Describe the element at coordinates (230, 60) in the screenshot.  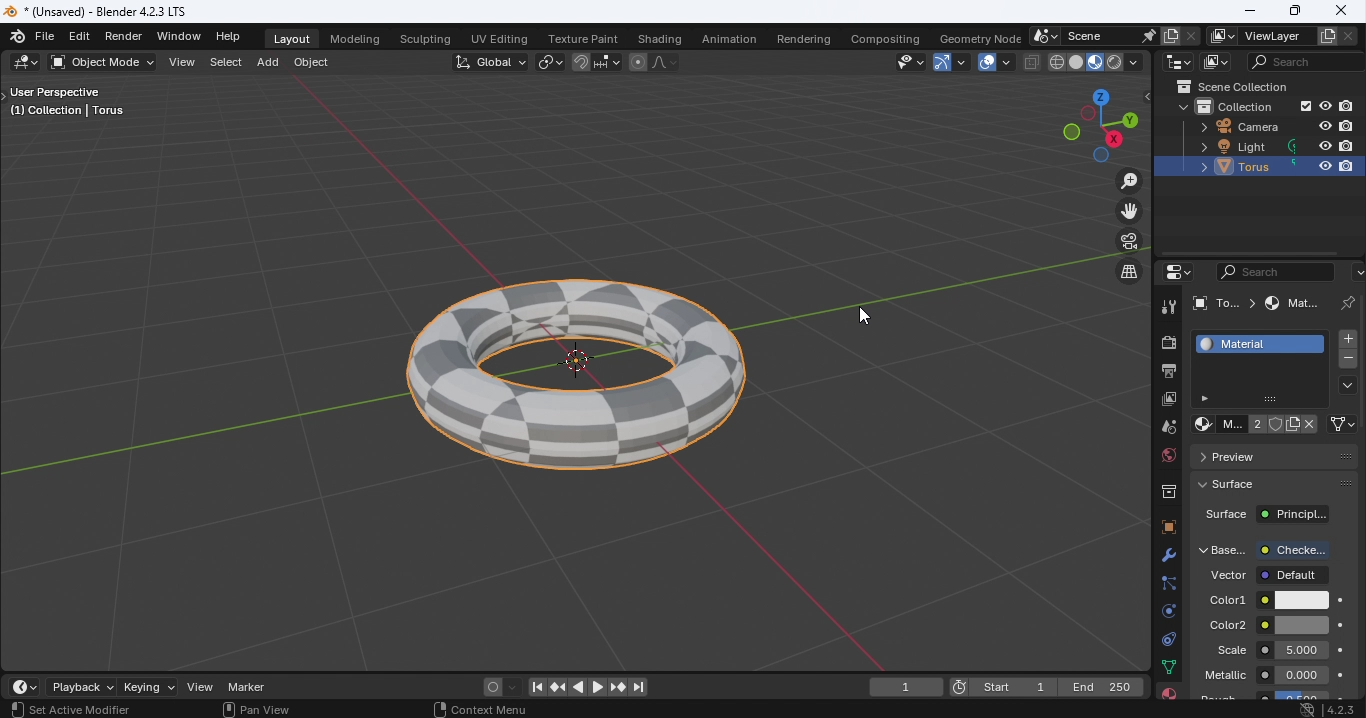
I see `Select` at that location.